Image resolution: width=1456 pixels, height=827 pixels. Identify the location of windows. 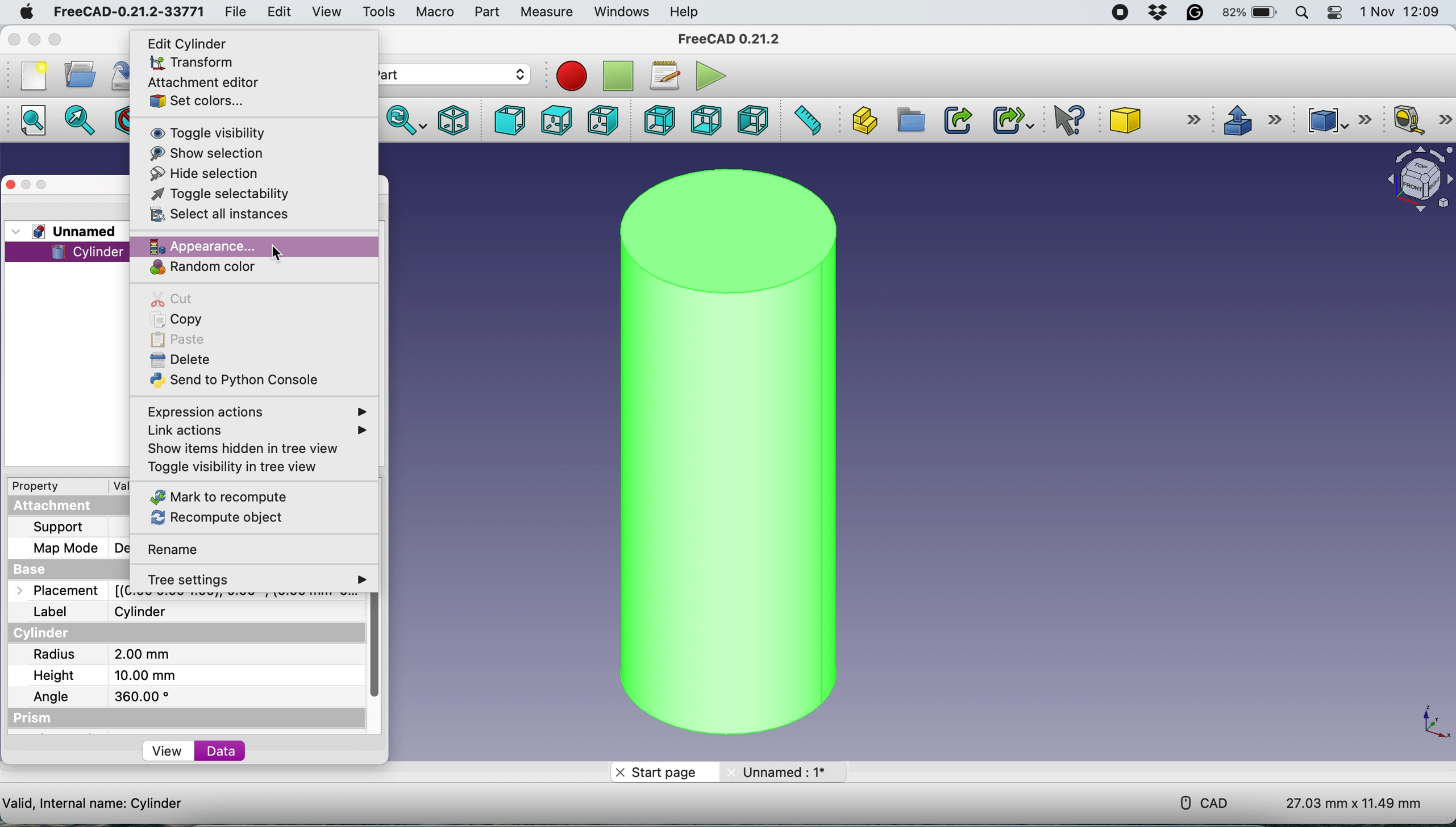
(623, 14).